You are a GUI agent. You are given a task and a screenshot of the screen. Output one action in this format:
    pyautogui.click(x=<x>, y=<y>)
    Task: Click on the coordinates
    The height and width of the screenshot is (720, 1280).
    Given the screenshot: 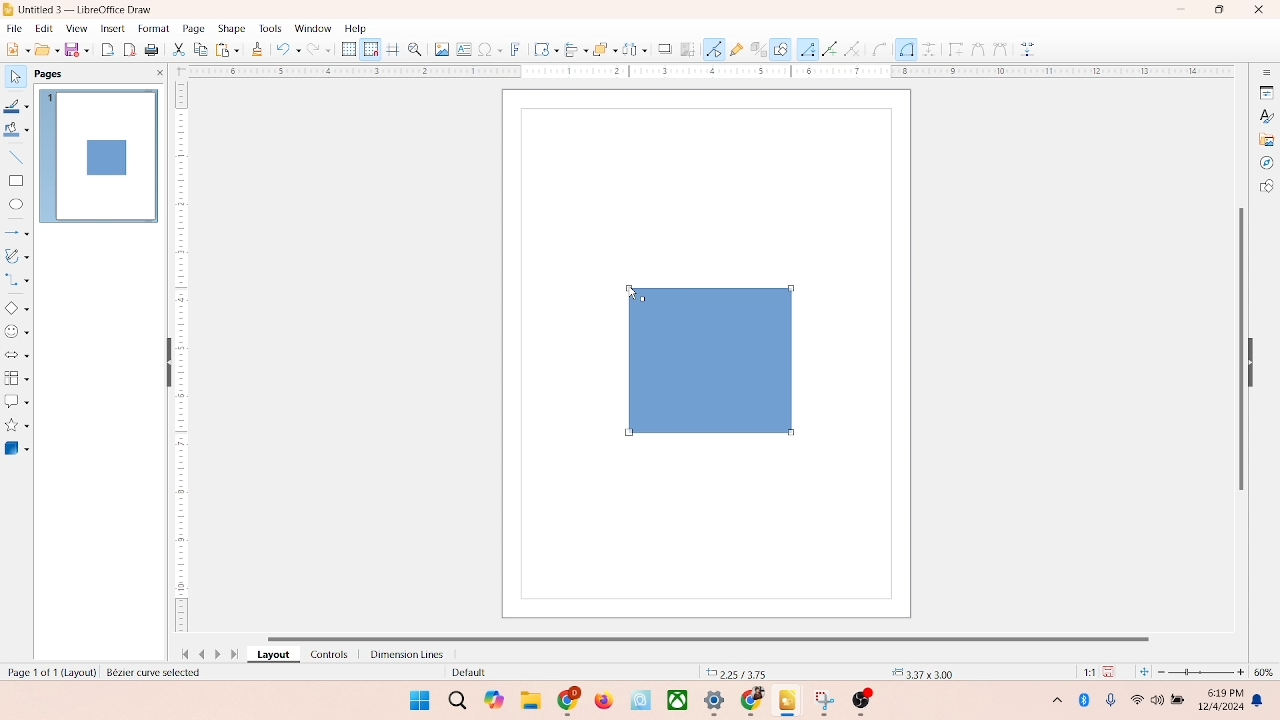 What is the action you would take?
    pyautogui.click(x=737, y=671)
    